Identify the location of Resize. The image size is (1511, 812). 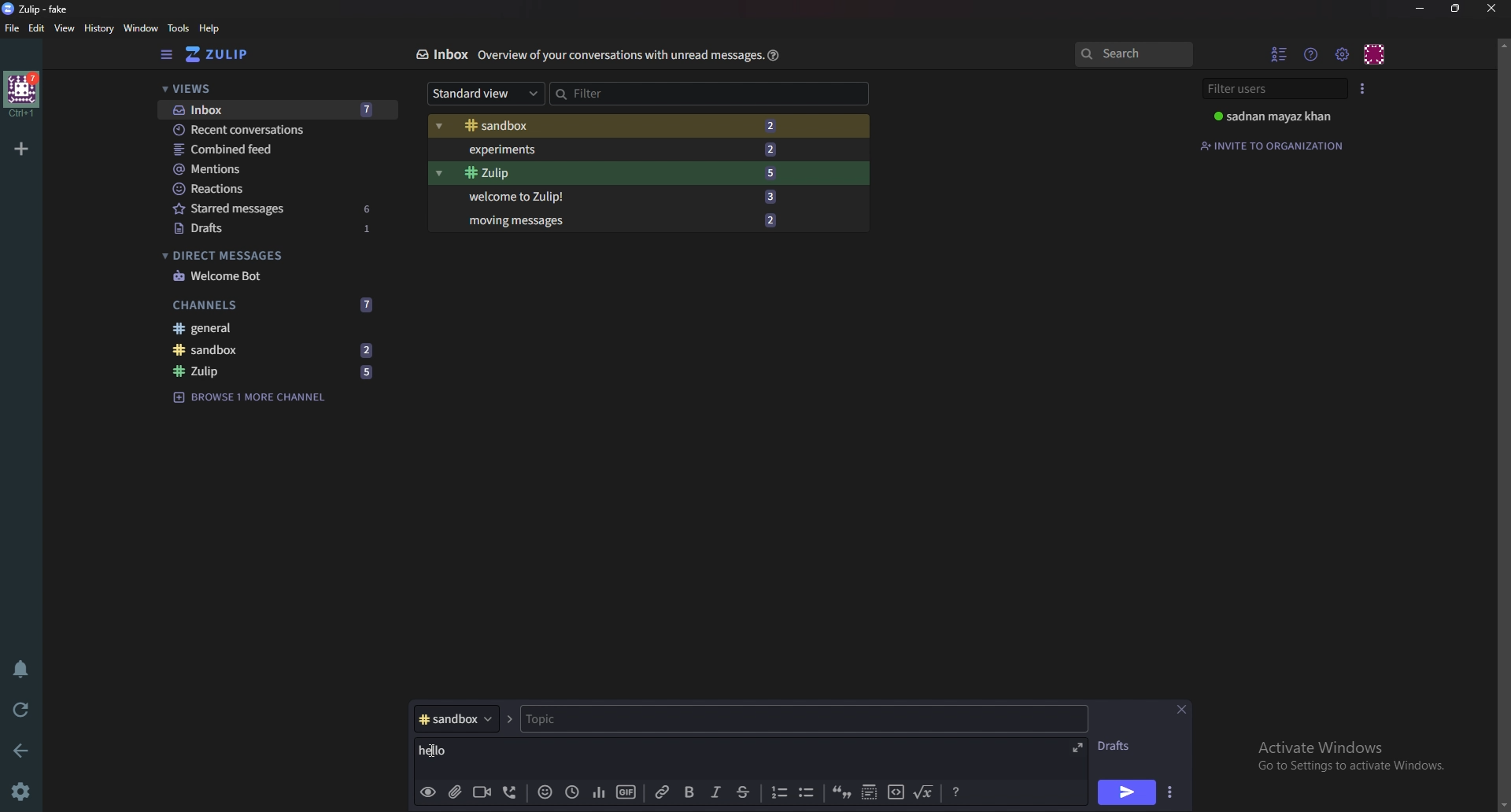
(1454, 8).